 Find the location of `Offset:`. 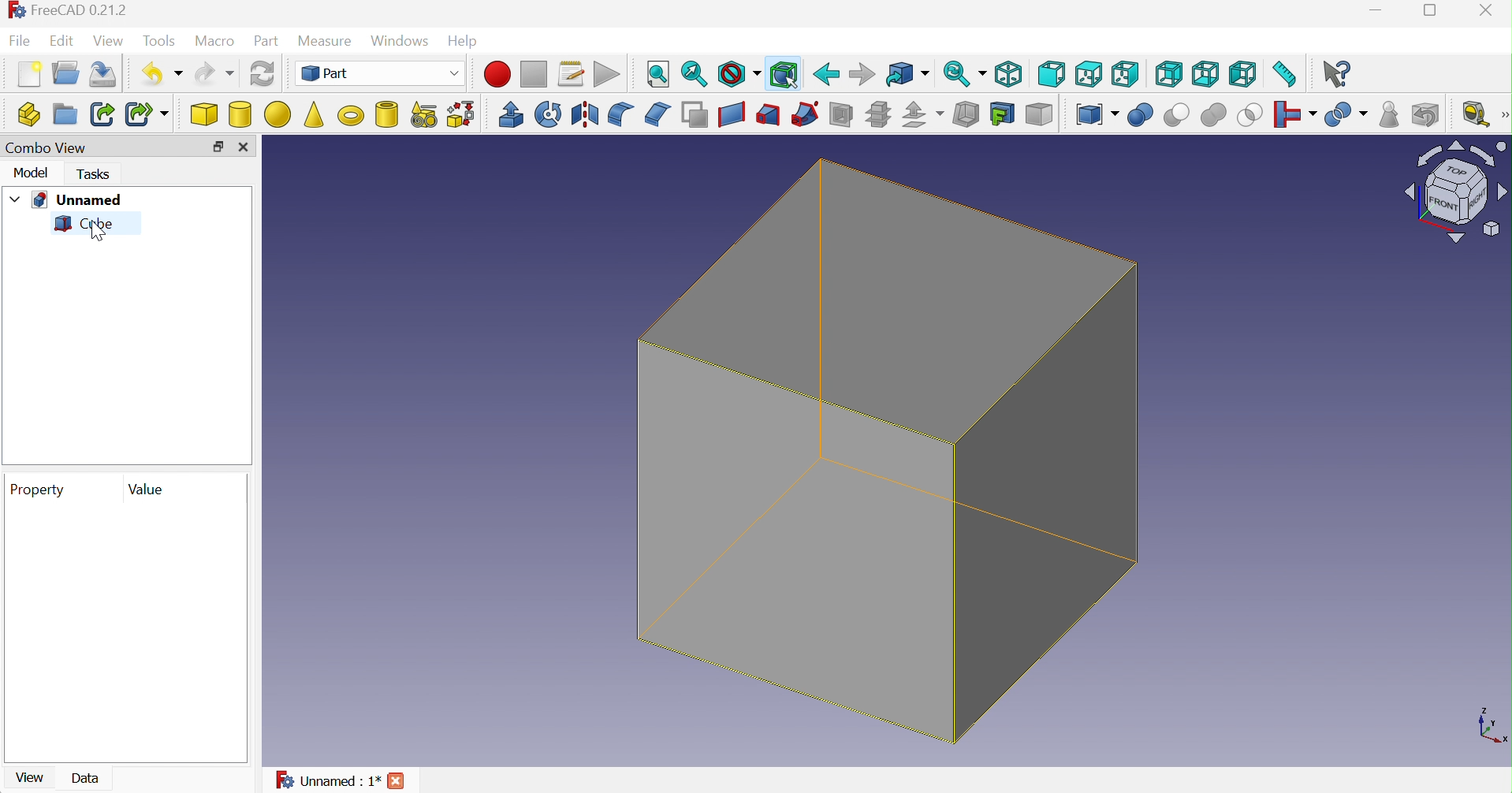

Offset: is located at coordinates (924, 117).